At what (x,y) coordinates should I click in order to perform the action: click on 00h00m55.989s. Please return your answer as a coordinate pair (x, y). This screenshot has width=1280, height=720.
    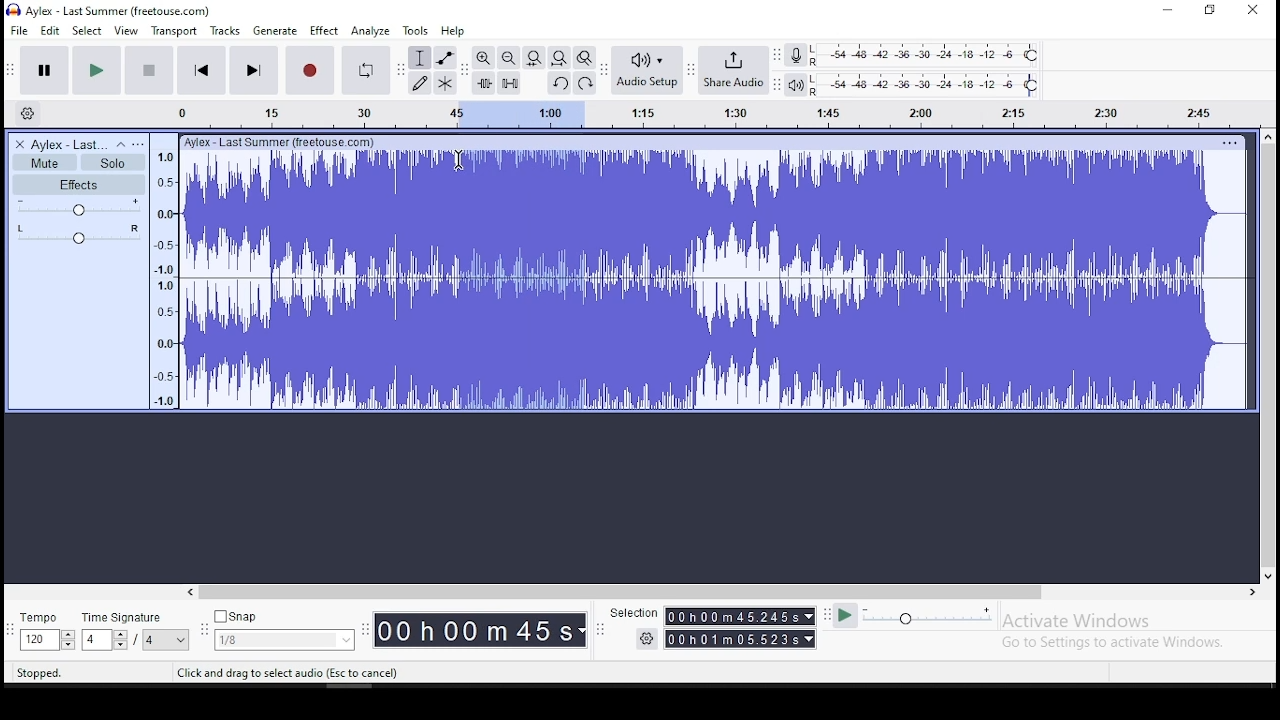
    Looking at the image, I should click on (741, 616).